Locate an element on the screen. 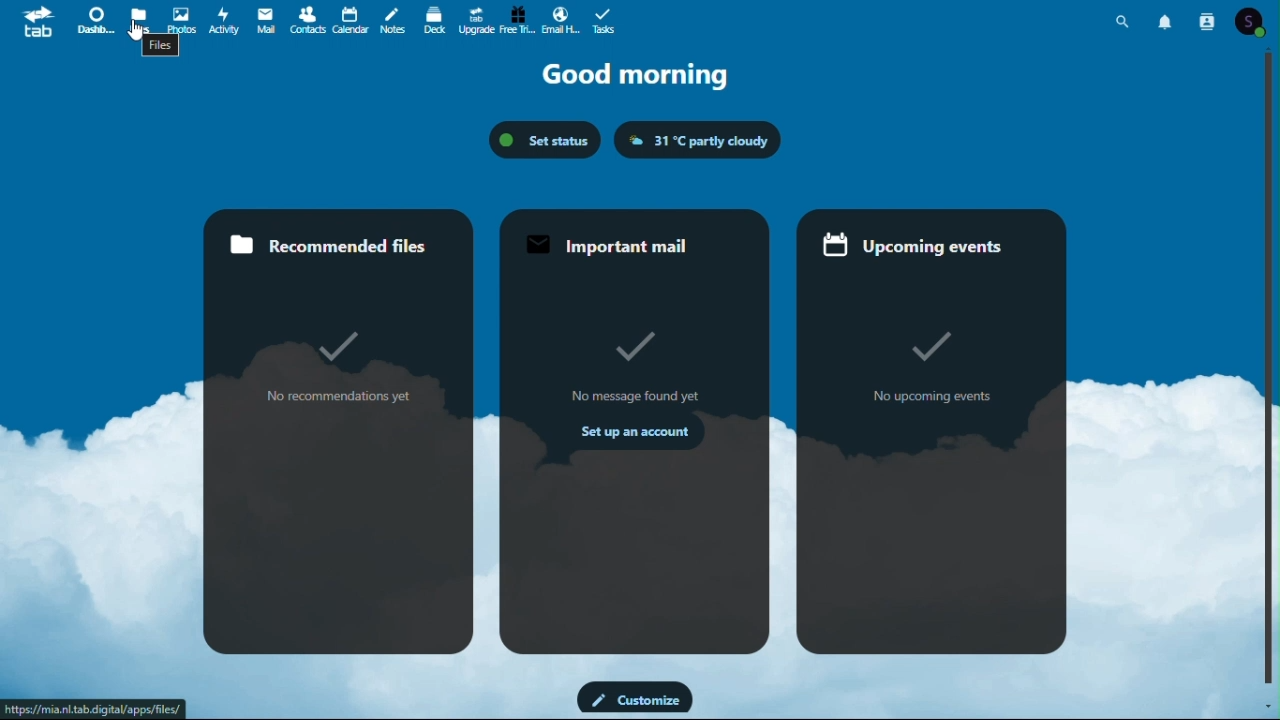  contacts is located at coordinates (307, 20).